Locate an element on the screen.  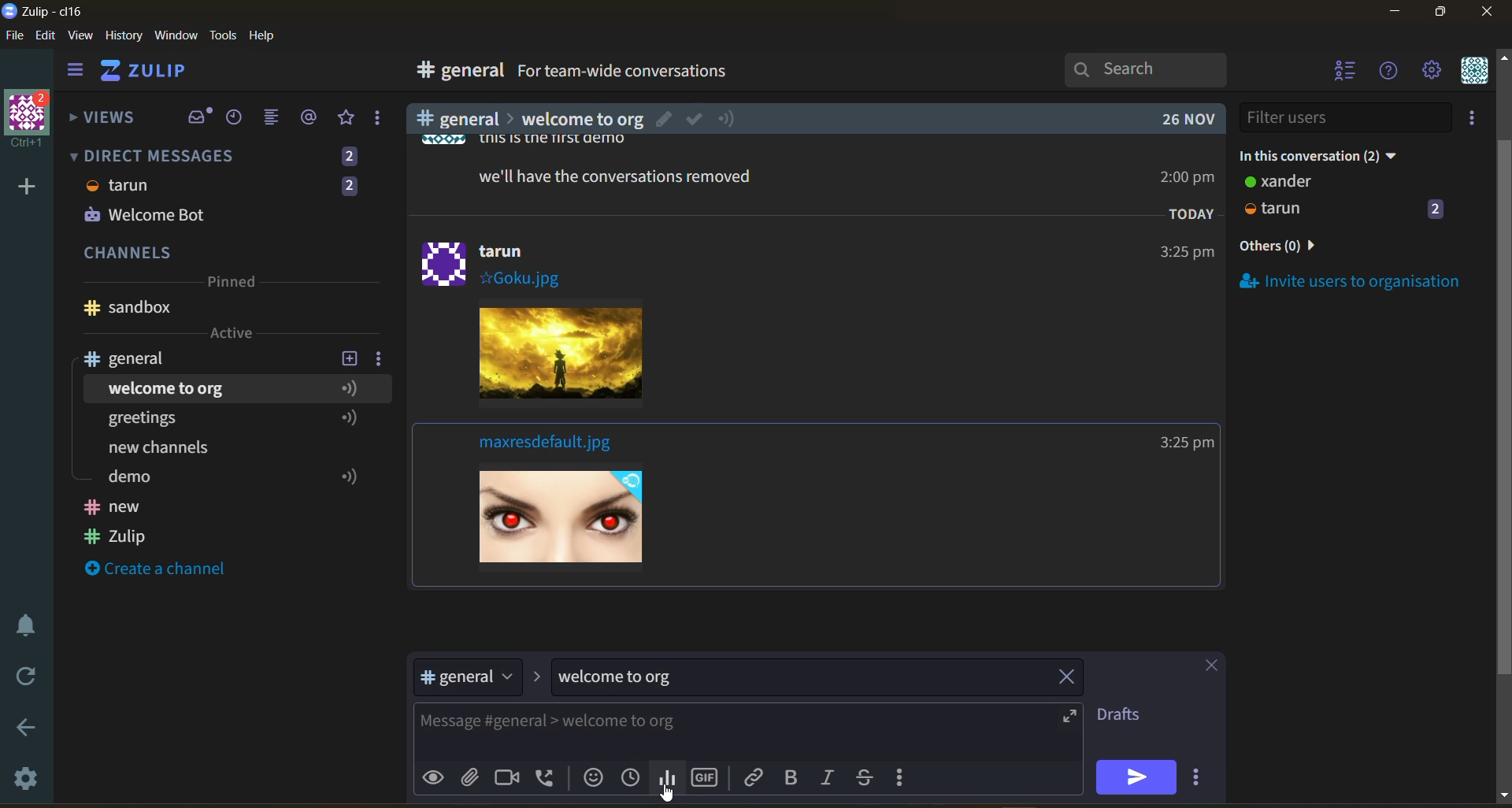
filter users is located at coordinates (1347, 117).